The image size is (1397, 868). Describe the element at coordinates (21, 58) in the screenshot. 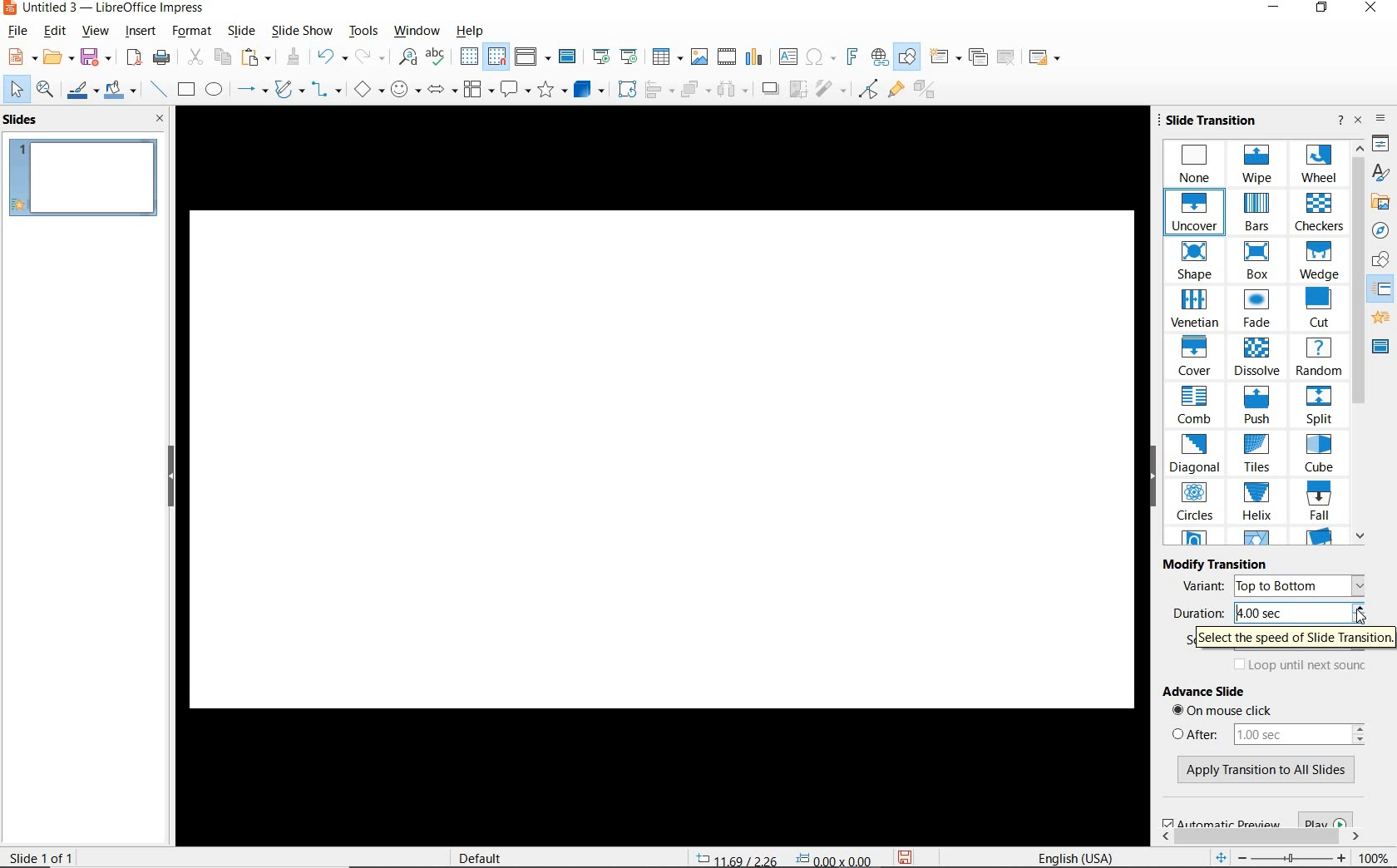

I see `NEW` at that location.